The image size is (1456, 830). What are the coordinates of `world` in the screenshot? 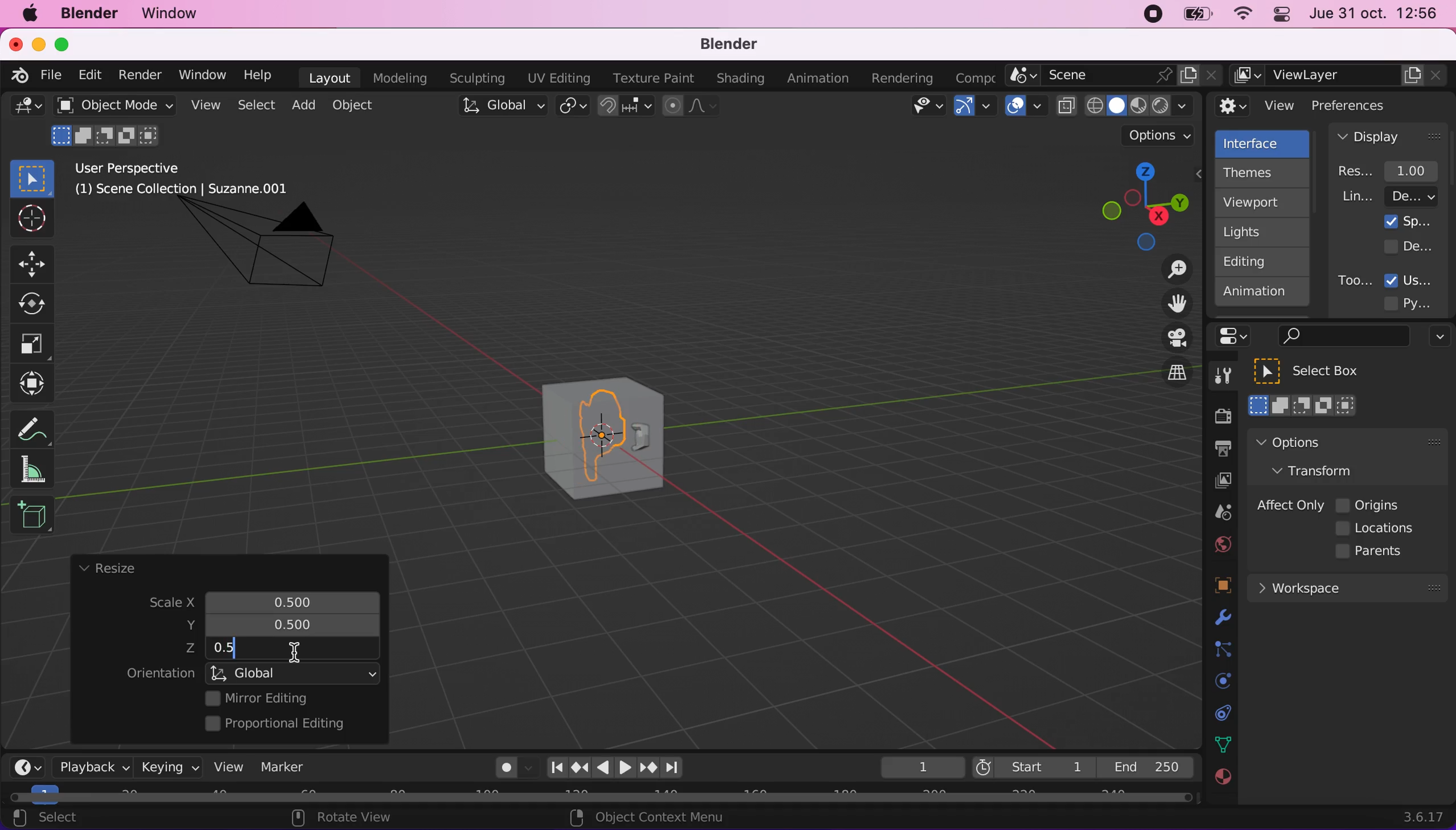 It's located at (1220, 543).